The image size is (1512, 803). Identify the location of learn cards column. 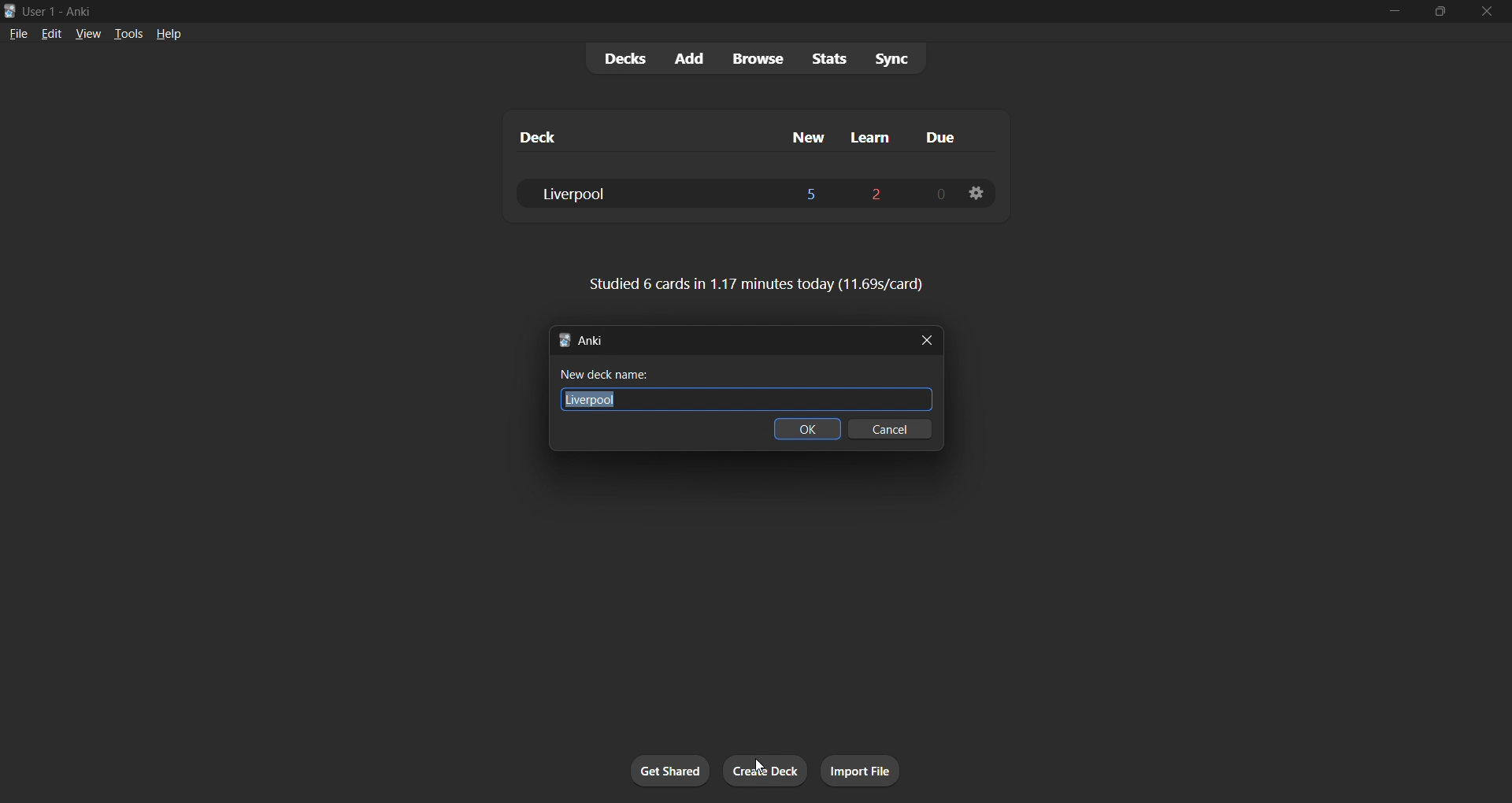
(880, 139).